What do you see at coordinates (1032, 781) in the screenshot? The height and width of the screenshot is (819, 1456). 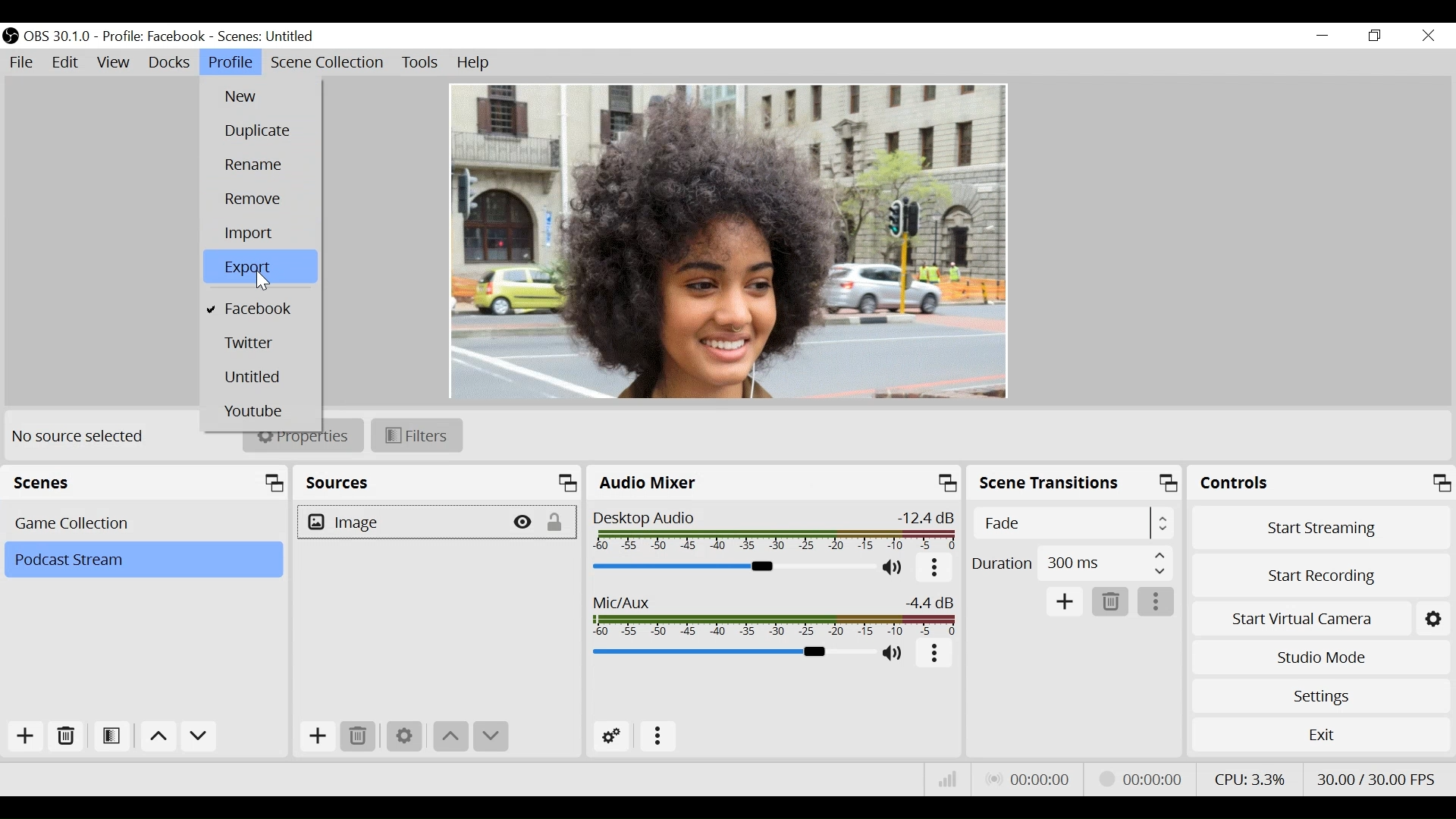 I see `Live Status` at bounding box center [1032, 781].